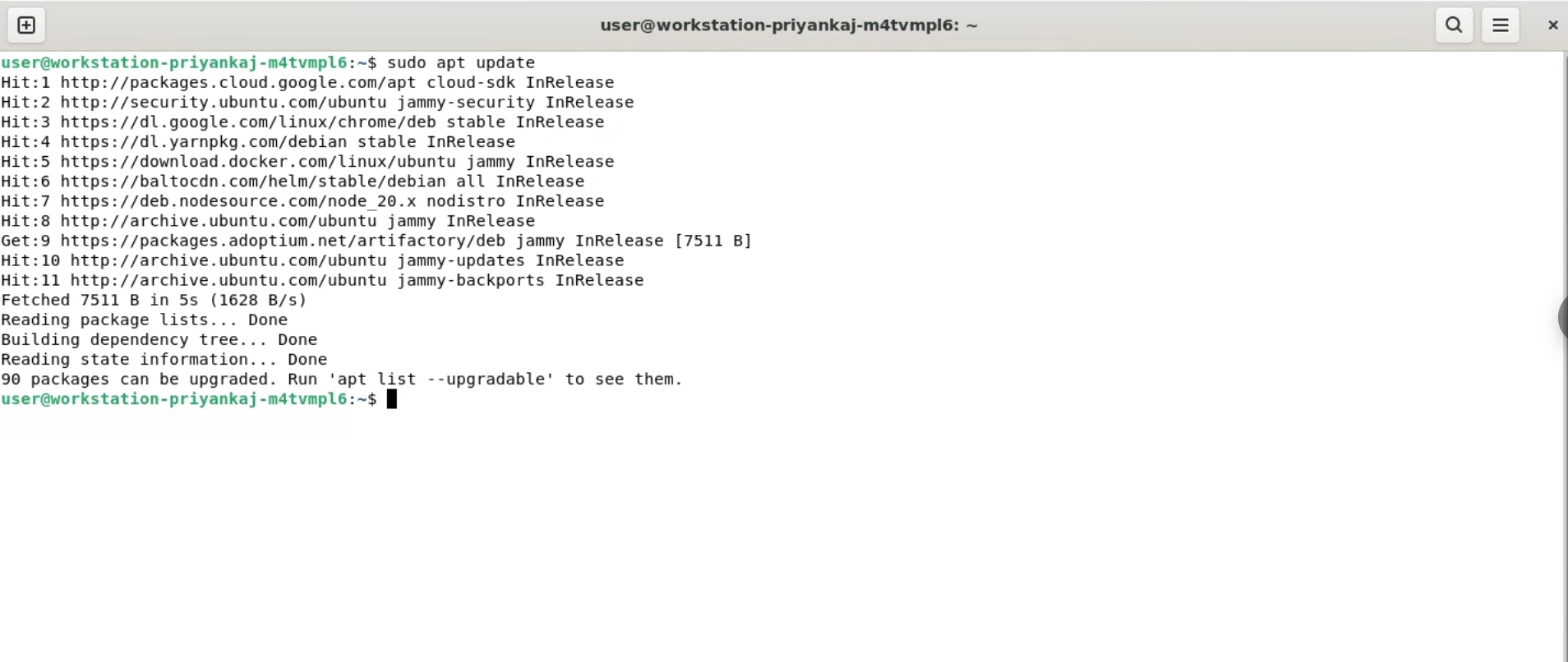 The height and width of the screenshot is (662, 1568). What do you see at coordinates (796, 26) in the screenshot?
I see `user@workstation-priyankaj-m4tvmplé: ~` at bounding box center [796, 26].